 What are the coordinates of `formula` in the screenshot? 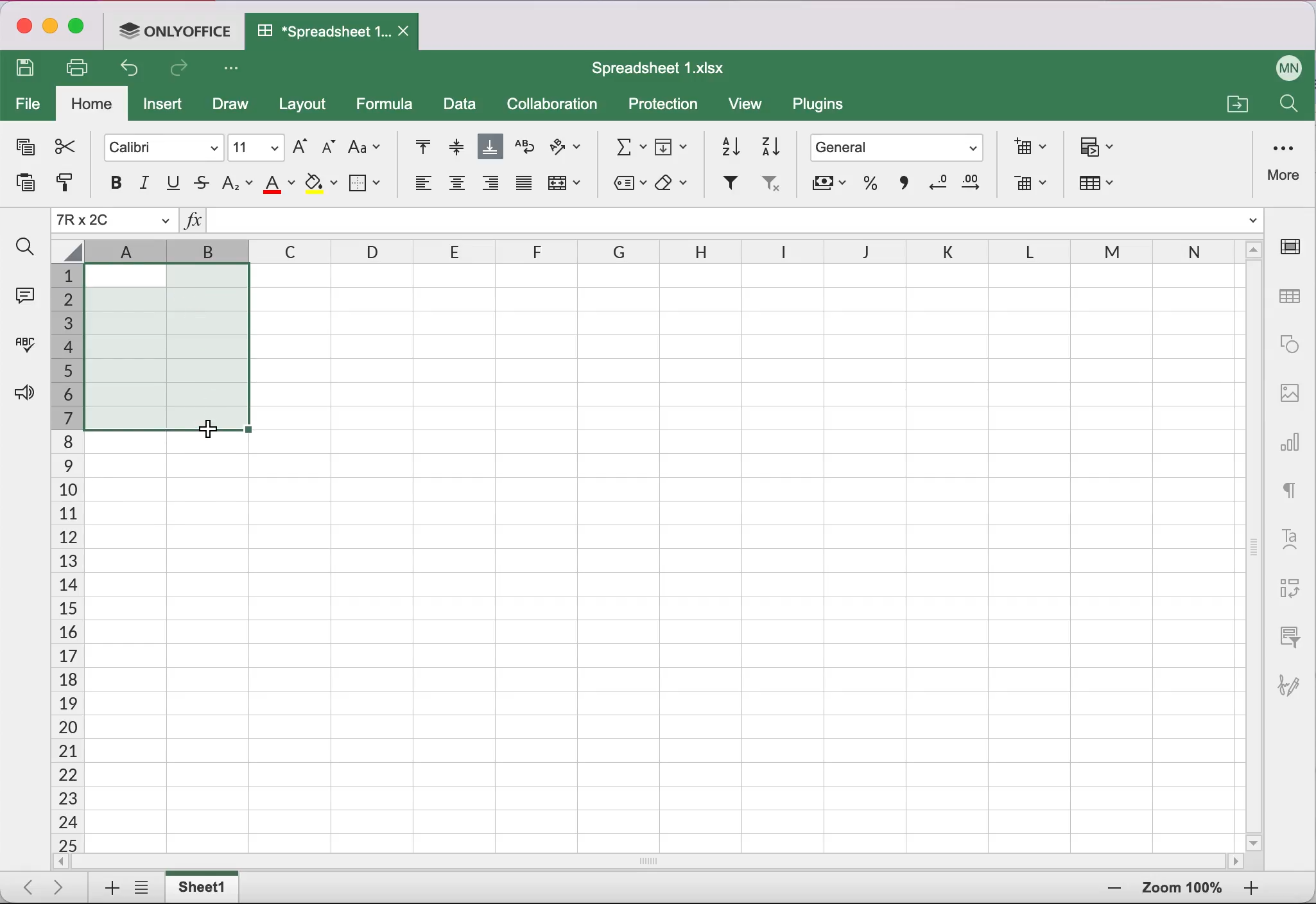 It's located at (388, 104).